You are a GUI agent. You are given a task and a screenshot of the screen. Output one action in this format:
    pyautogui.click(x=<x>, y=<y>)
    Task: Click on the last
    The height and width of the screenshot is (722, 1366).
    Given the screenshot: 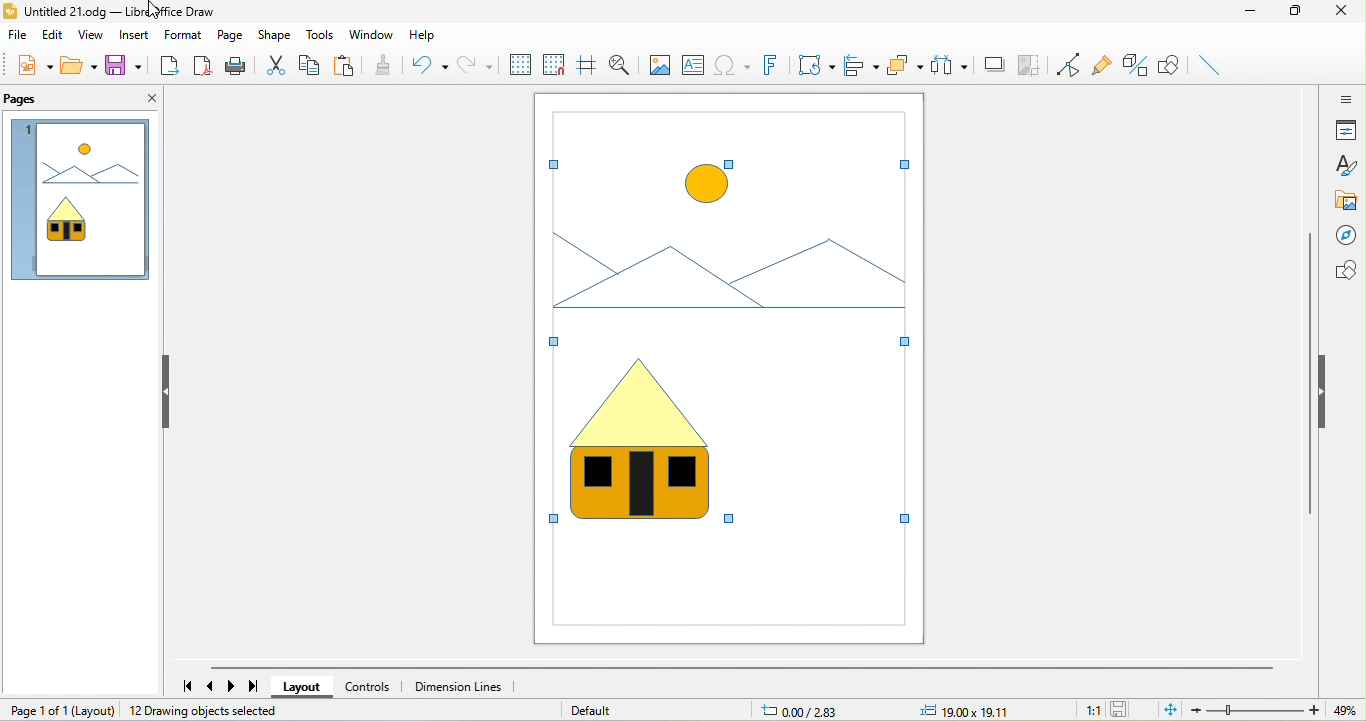 What is the action you would take?
    pyautogui.click(x=254, y=687)
    